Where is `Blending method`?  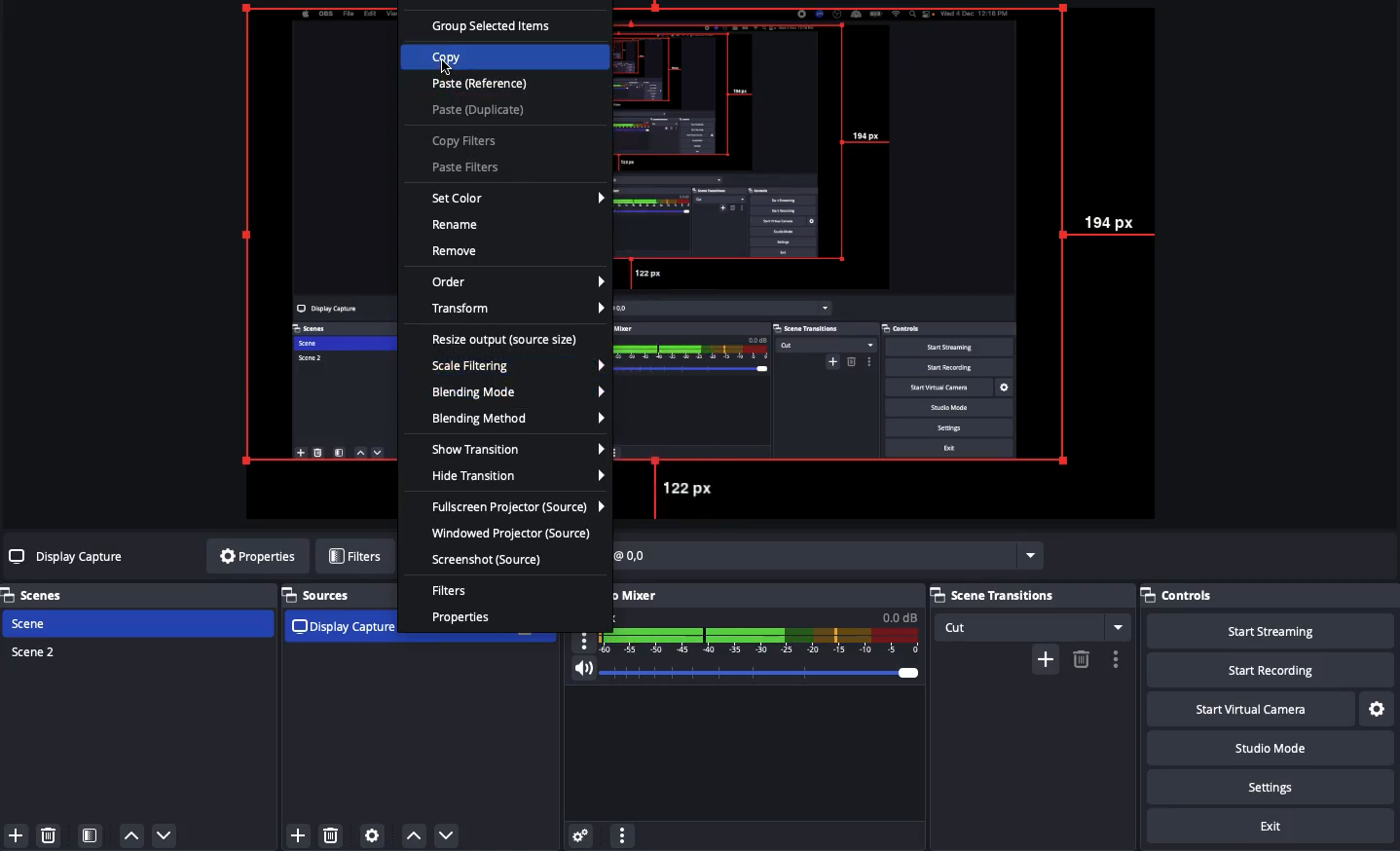 Blending method is located at coordinates (519, 417).